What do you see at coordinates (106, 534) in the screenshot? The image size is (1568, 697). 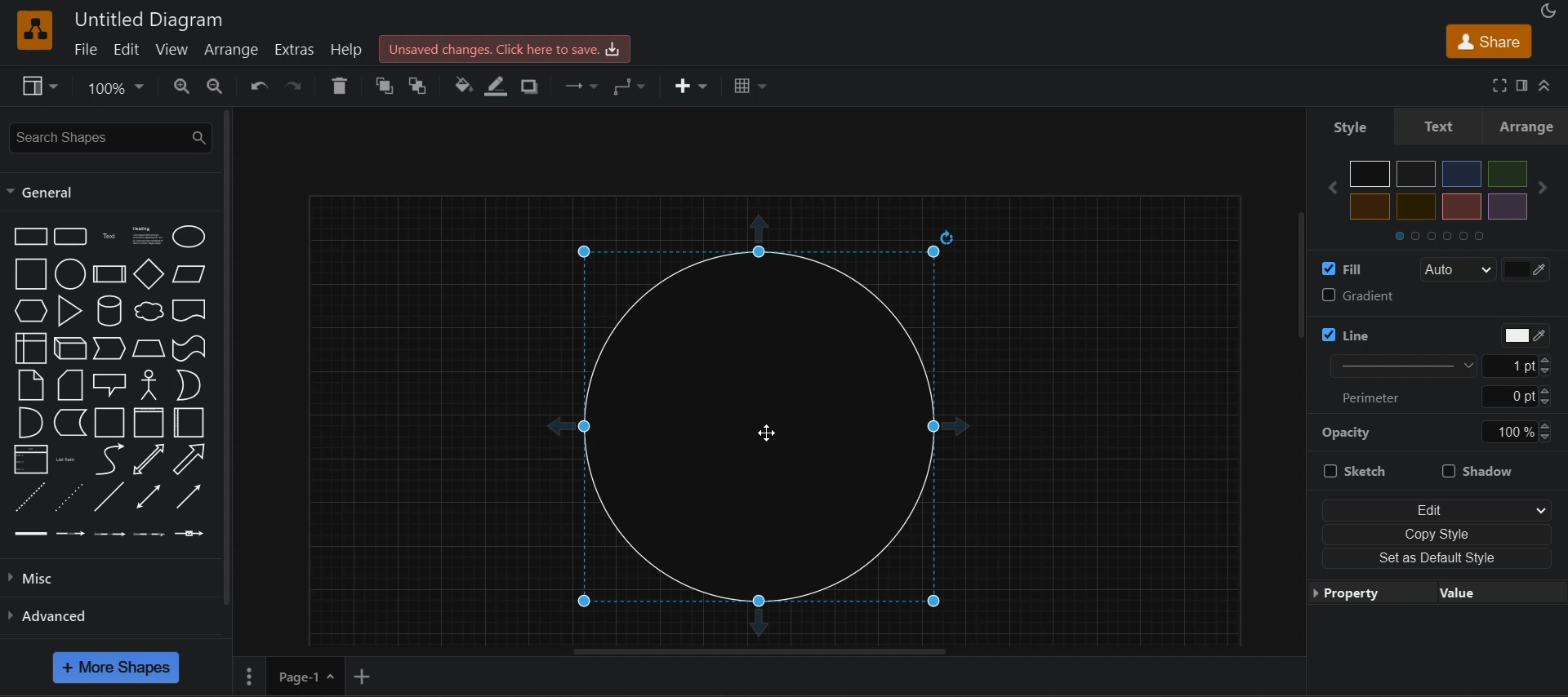 I see `Connector 3` at bounding box center [106, 534].